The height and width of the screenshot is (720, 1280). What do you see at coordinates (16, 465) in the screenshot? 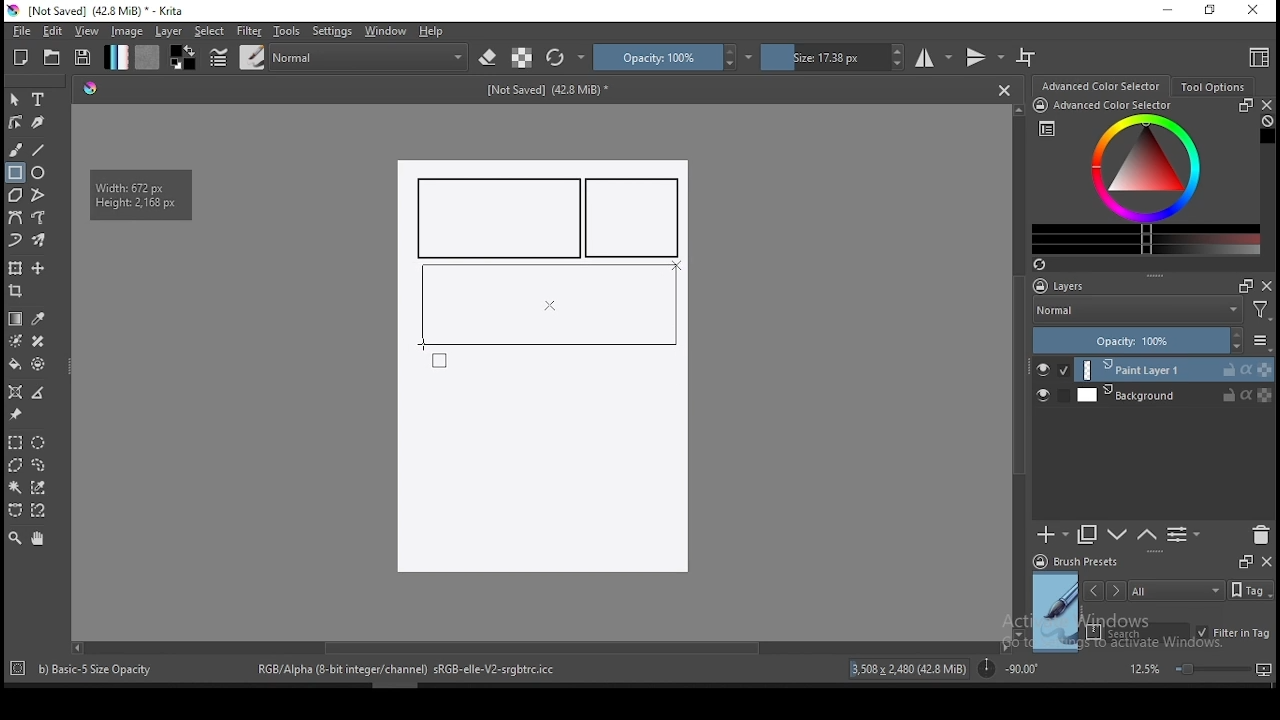
I see `polygon selection tool` at bounding box center [16, 465].